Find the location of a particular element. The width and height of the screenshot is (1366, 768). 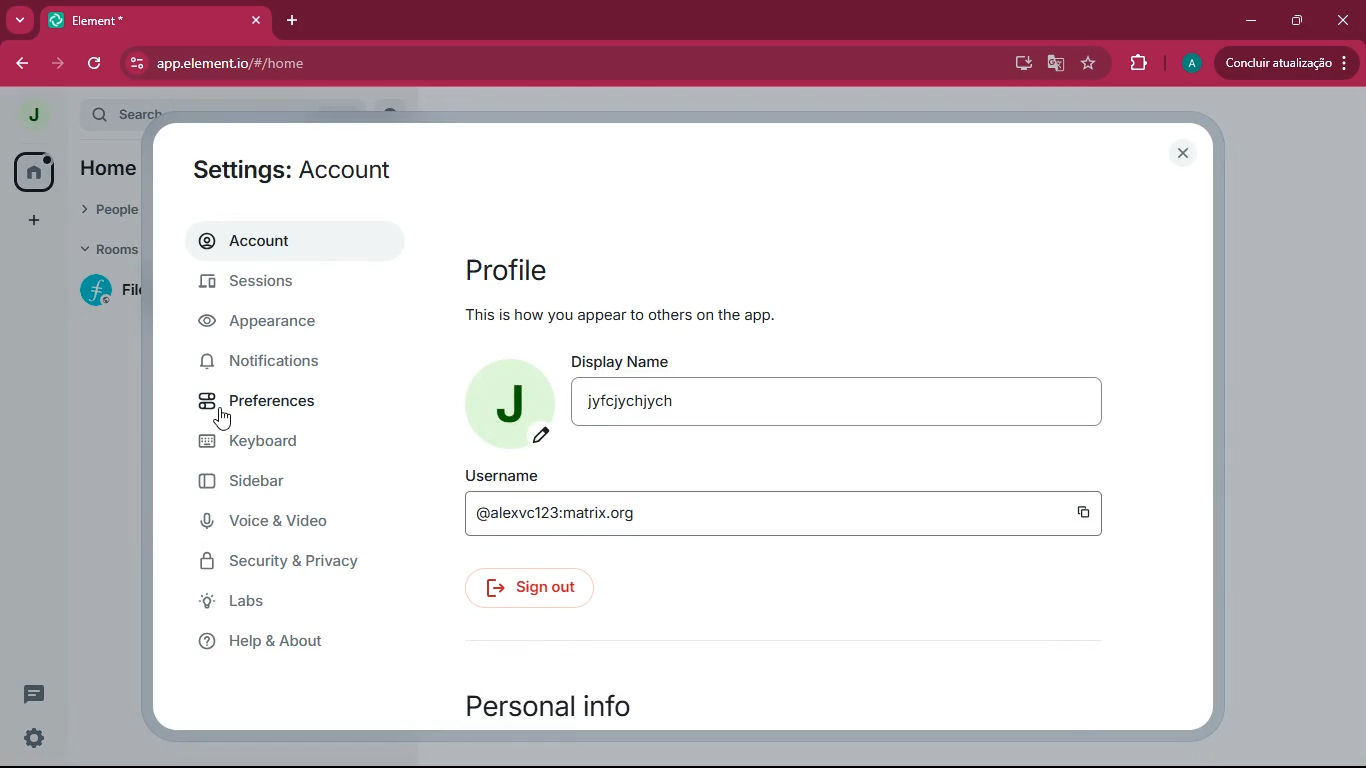

settings is located at coordinates (34, 740).